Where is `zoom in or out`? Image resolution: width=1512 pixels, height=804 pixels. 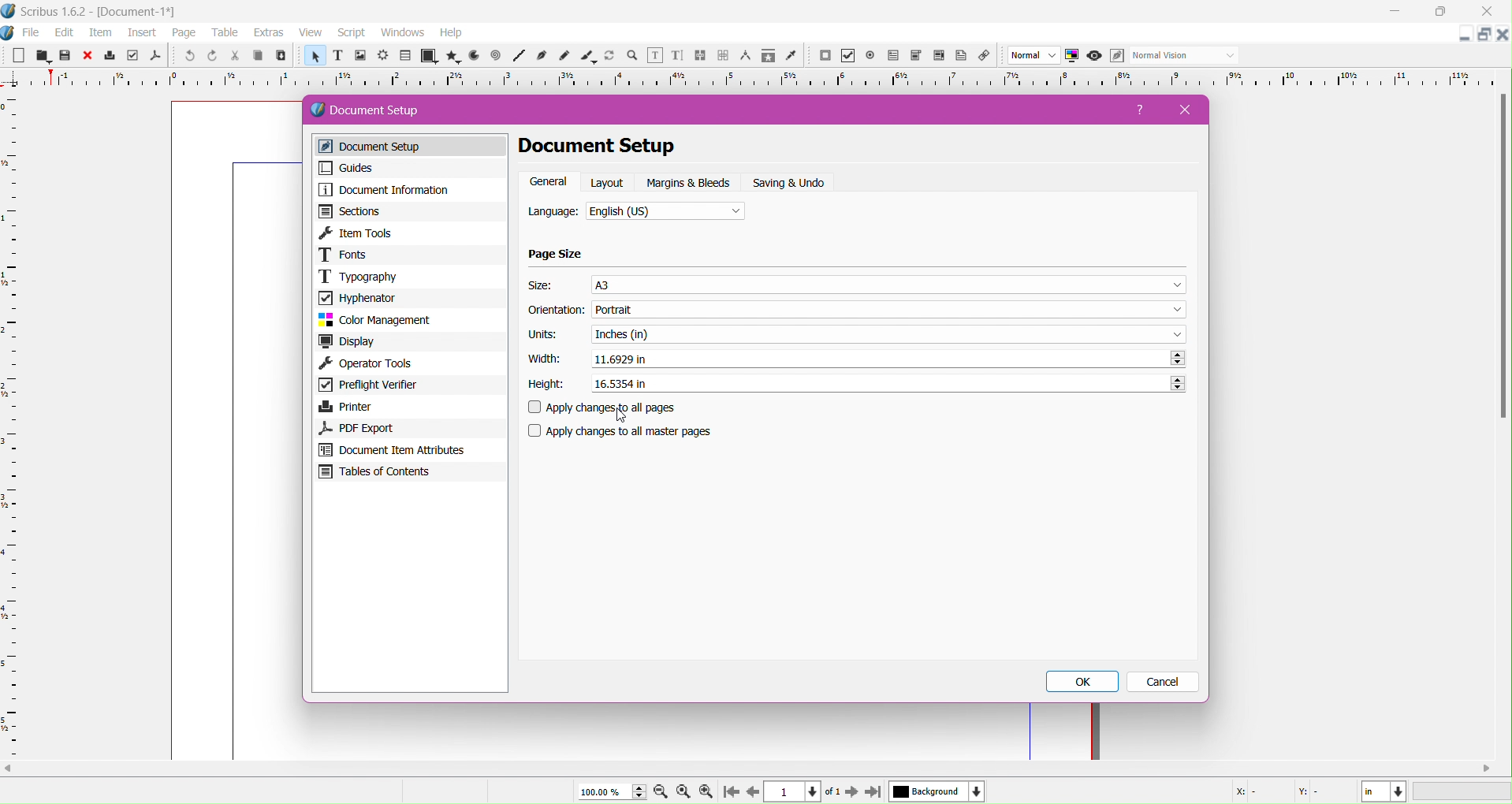
zoom in or out is located at coordinates (634, 57).